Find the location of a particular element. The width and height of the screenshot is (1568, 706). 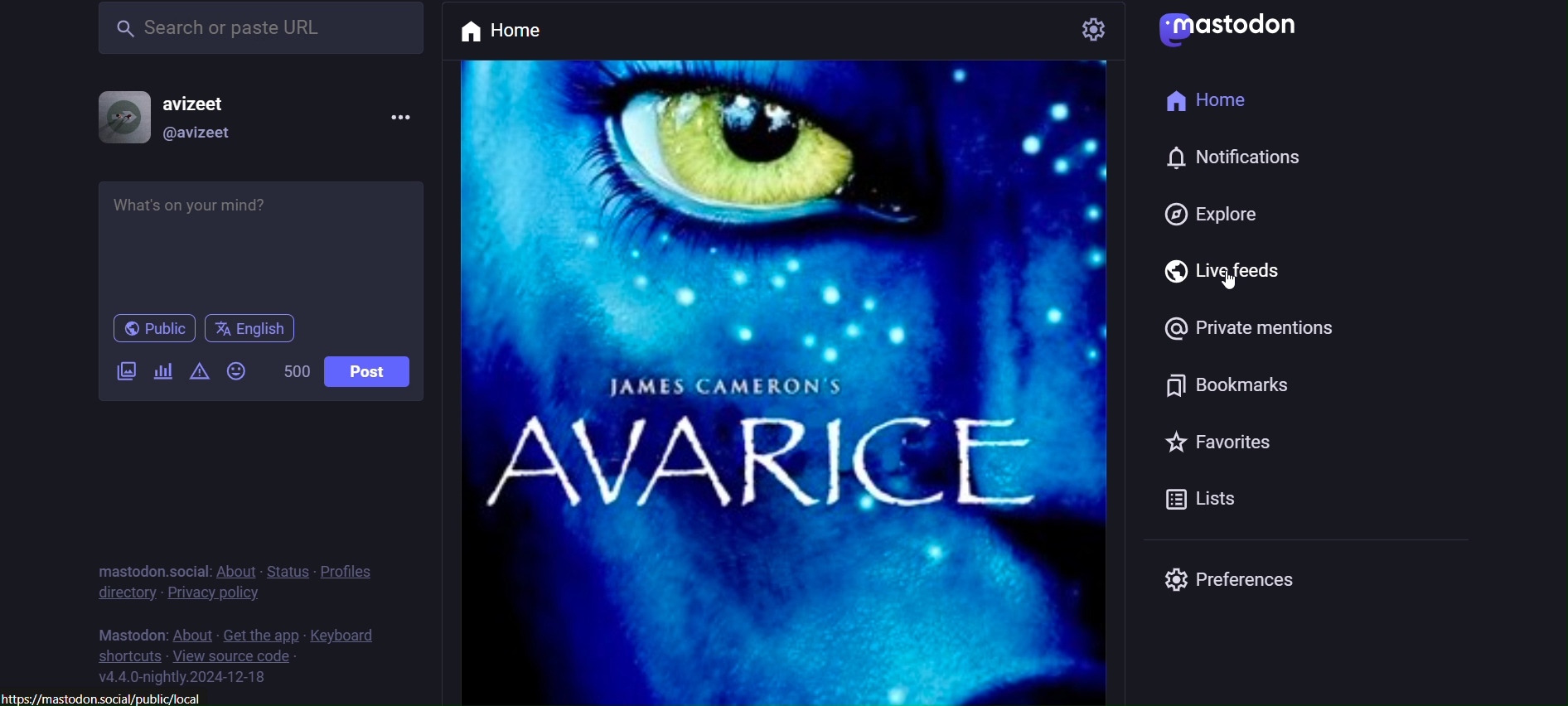

avizeet is located at coordinates (204, 104).